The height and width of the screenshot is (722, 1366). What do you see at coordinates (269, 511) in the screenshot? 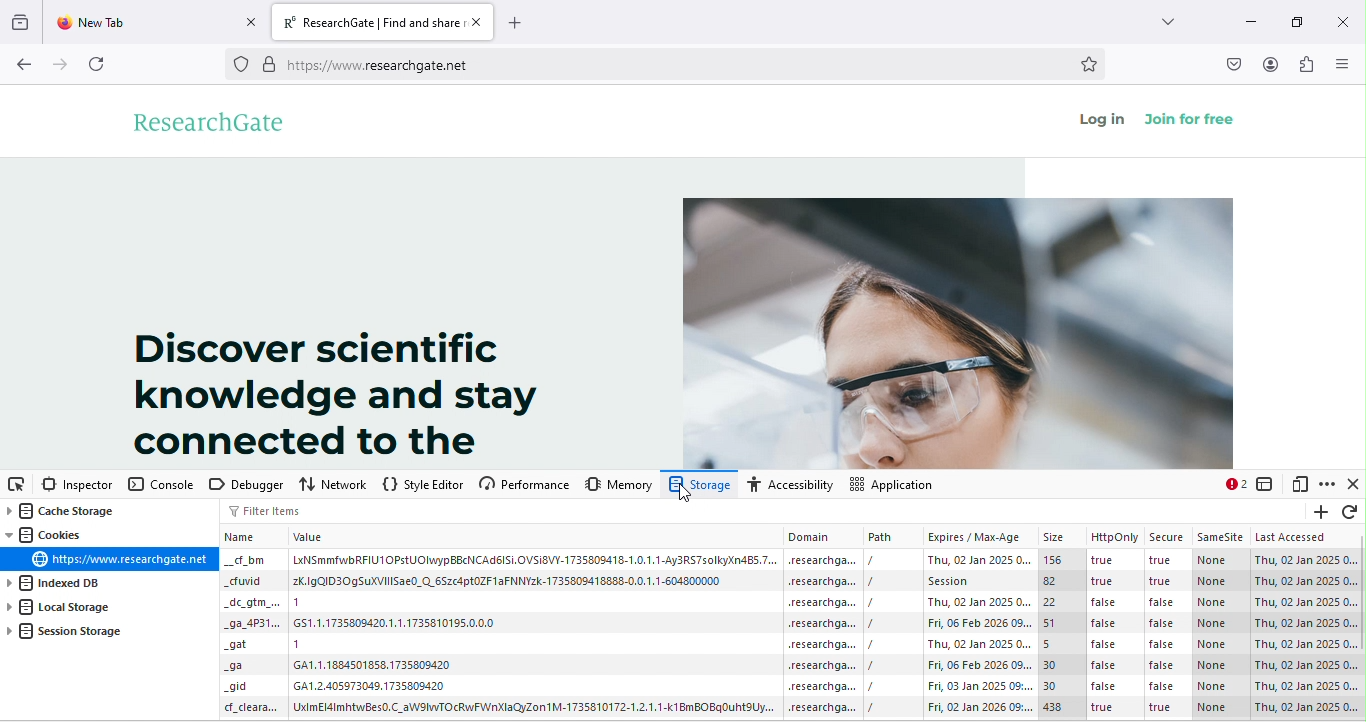
I see `filter items` at bounding box center [269, 511].